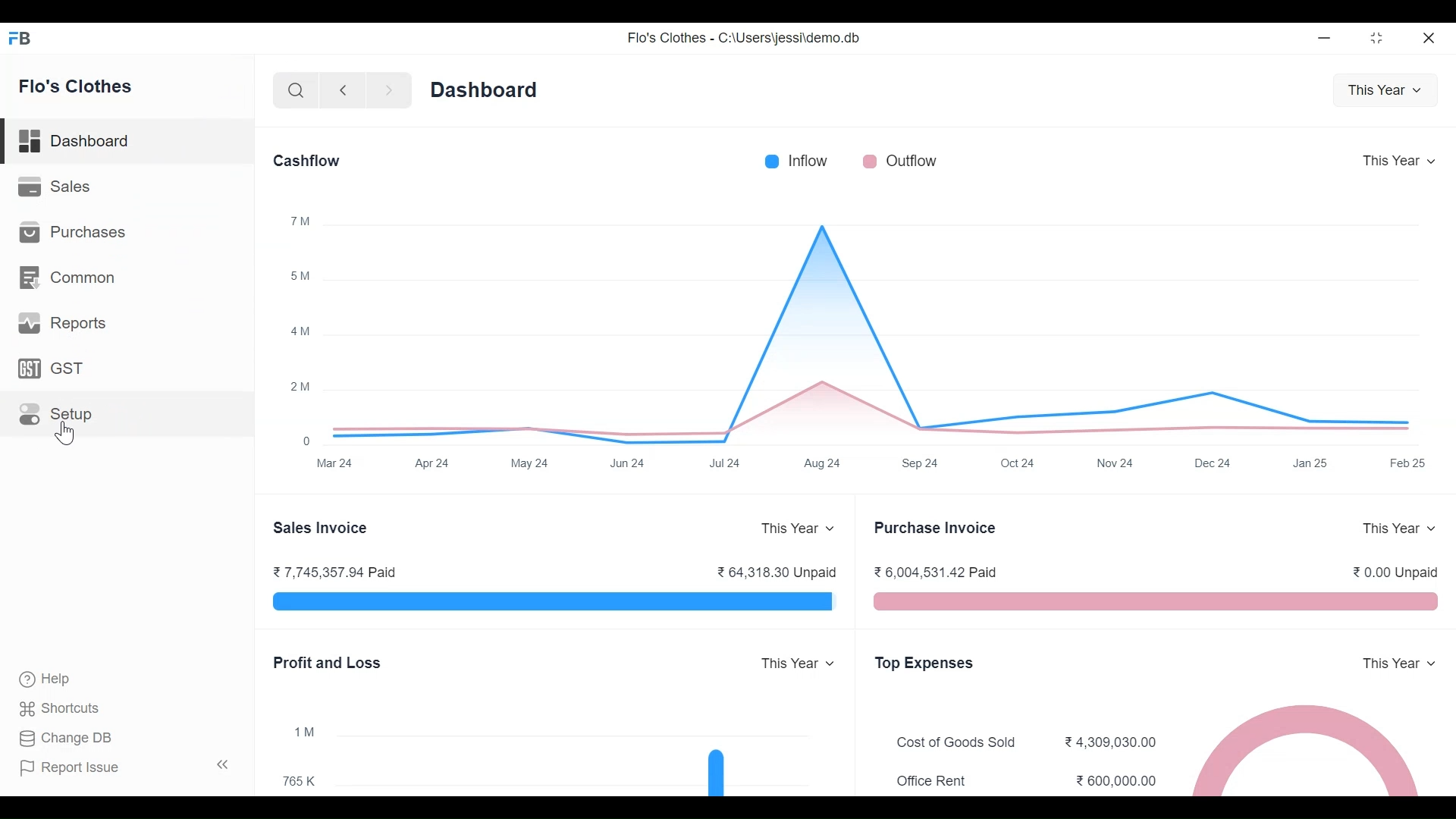 The width and height of the screenshot is (1456, 819). Describe the element at coordinates (293, 91) in the screenshot. I see `Search` at that location.